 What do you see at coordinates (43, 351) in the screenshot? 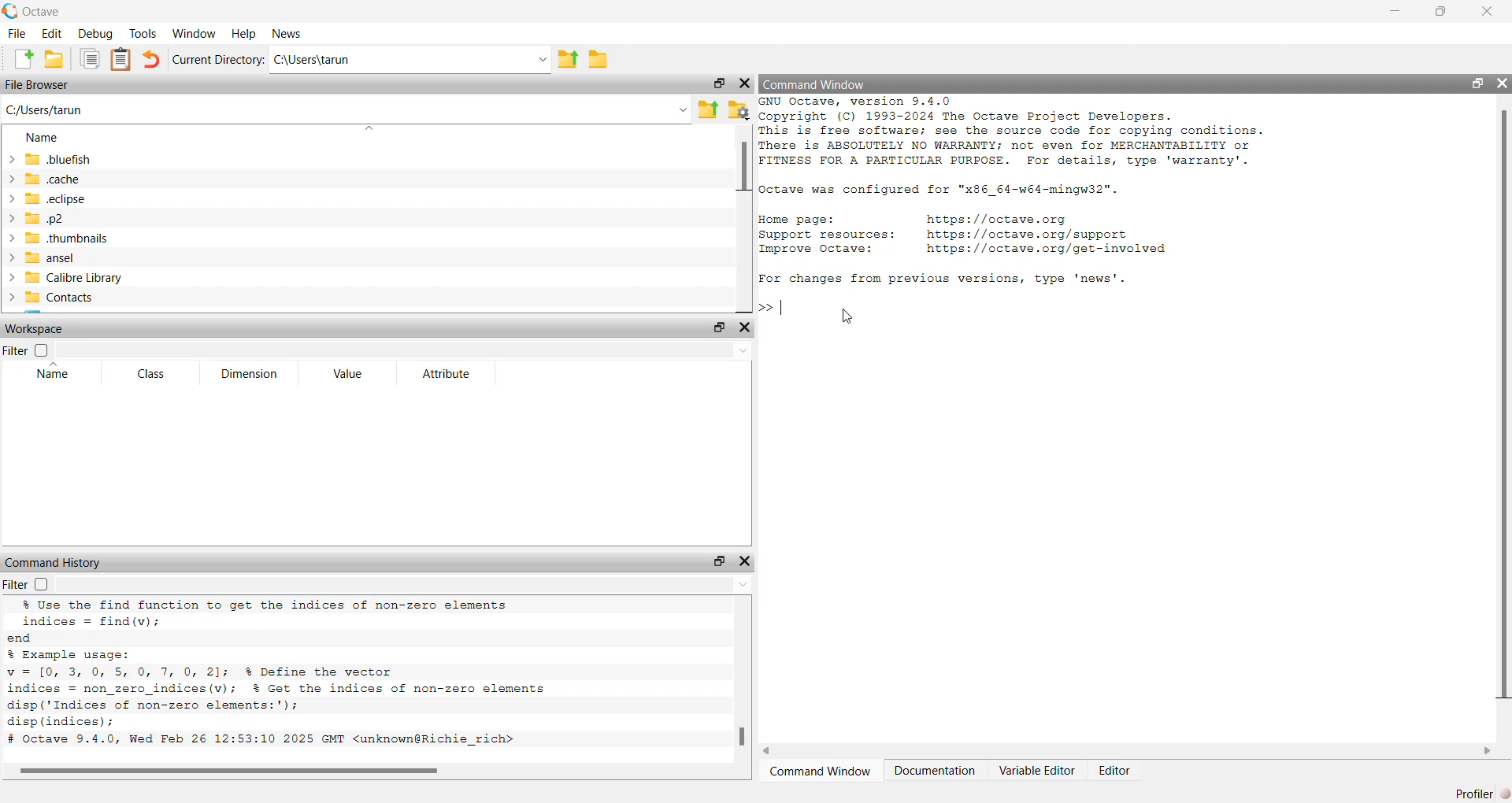
I see `checkbox` at bounding box center [43, 351].